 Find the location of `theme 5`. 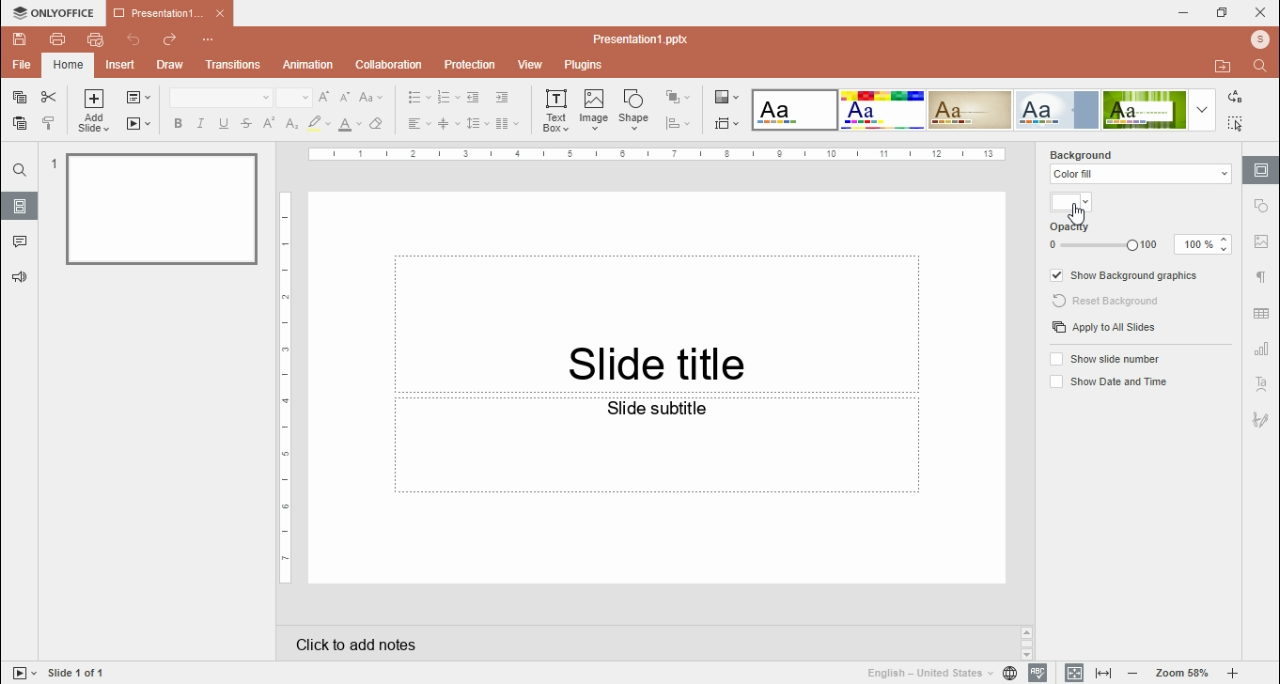

theme 5 is located at coordinates (1145, 111).